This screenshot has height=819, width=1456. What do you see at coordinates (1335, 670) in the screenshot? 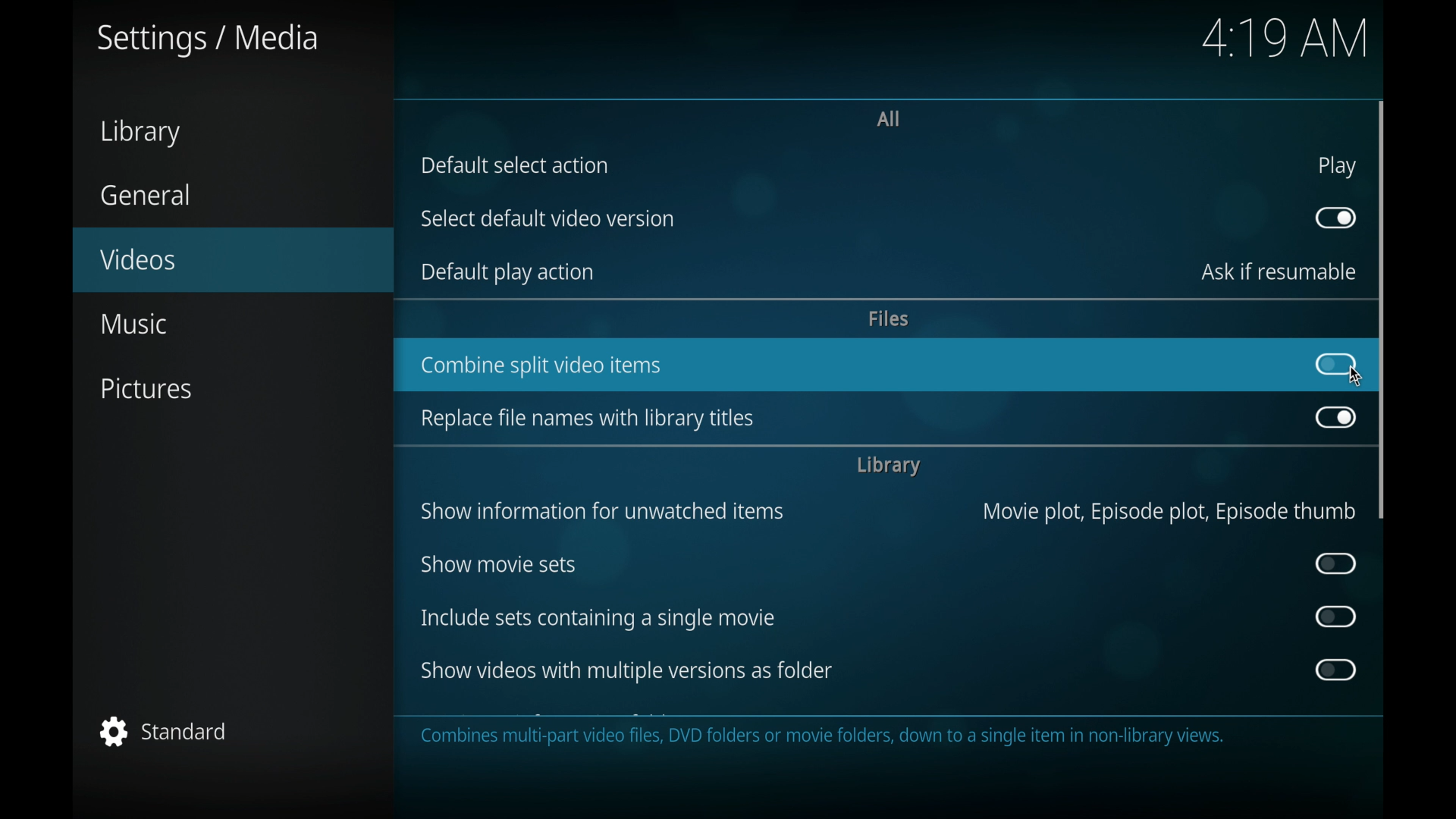
I see `toggle button` at bounding box center [1335, 670].